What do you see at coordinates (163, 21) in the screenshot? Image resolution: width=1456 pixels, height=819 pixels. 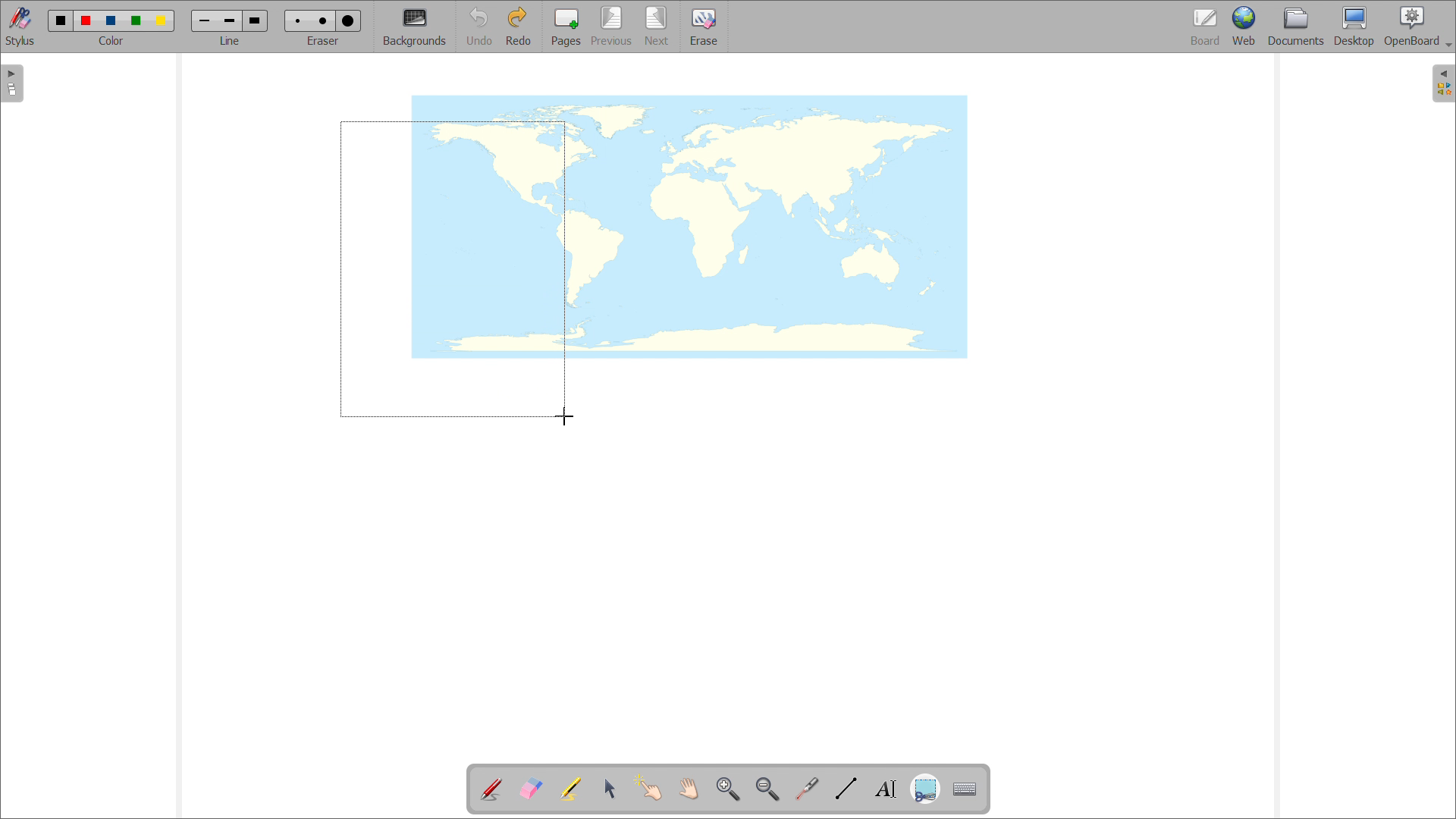 I see `yellow` at bounding box center [163, 21].